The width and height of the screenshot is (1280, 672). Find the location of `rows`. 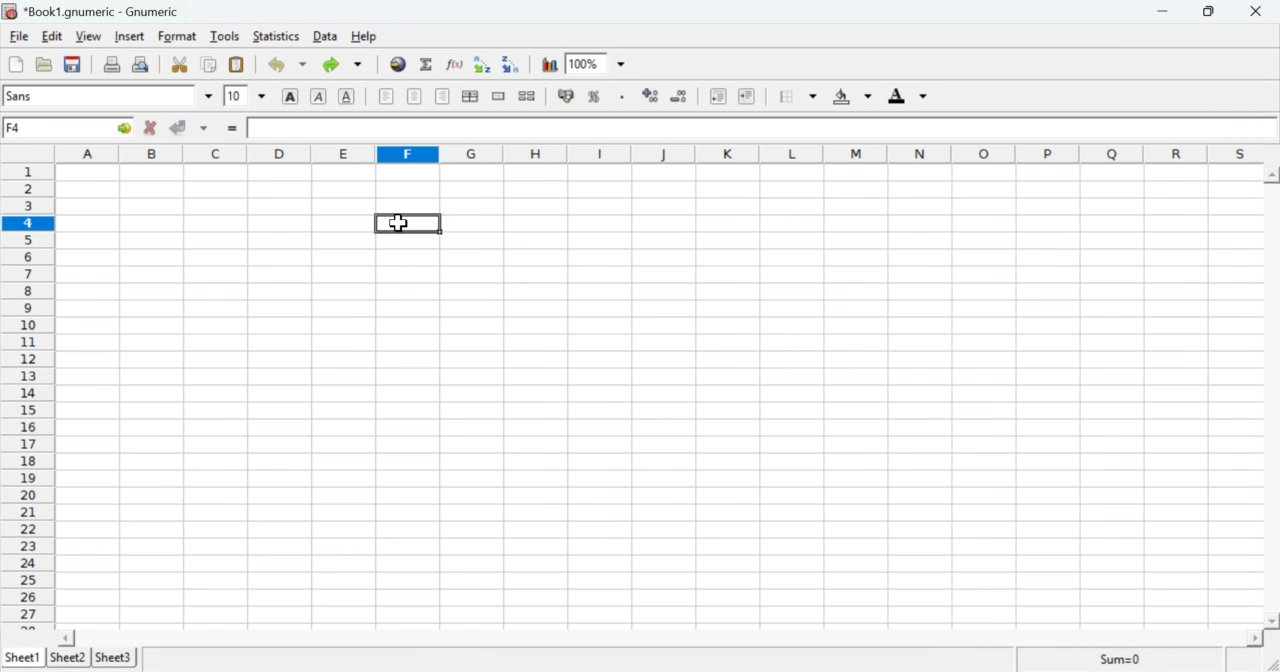

rows is located at coordinates (28, 392).